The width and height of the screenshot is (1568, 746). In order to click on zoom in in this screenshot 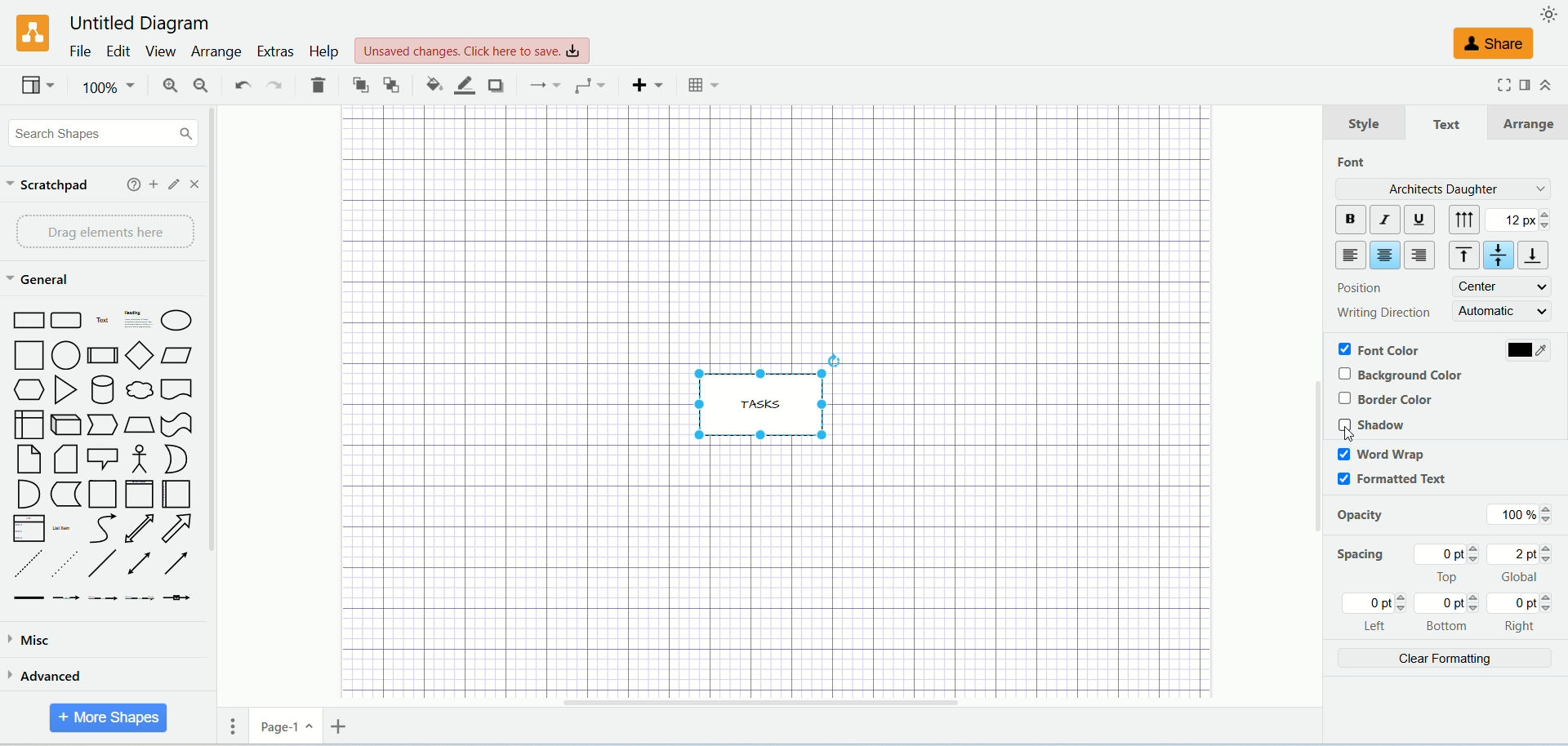, I will do `click(161, 86)`.